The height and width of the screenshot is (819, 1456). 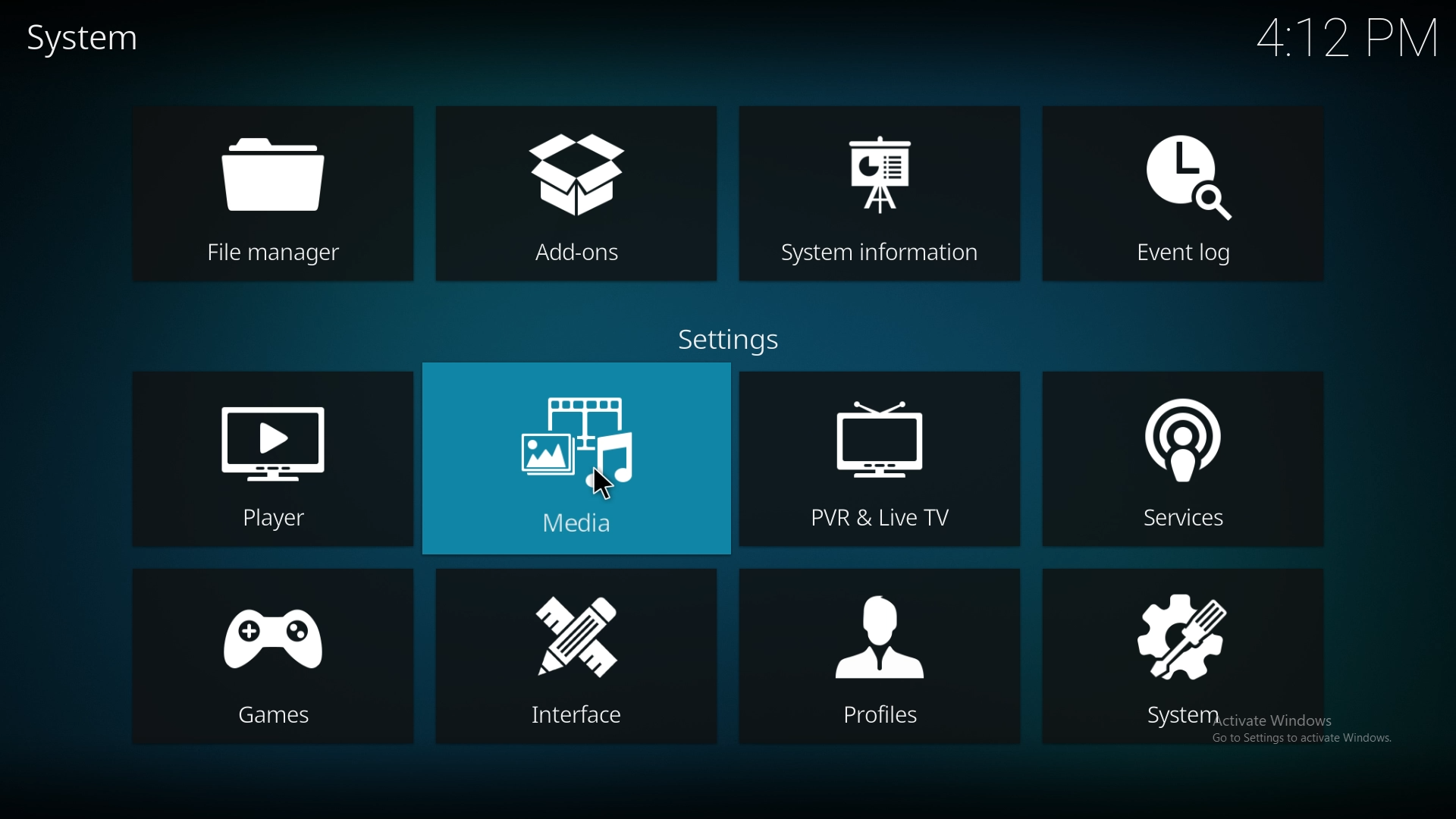 What do you see at coordinates (880, 656) in the screenshot?
I see `profiles` at bounding box center [880, 656].